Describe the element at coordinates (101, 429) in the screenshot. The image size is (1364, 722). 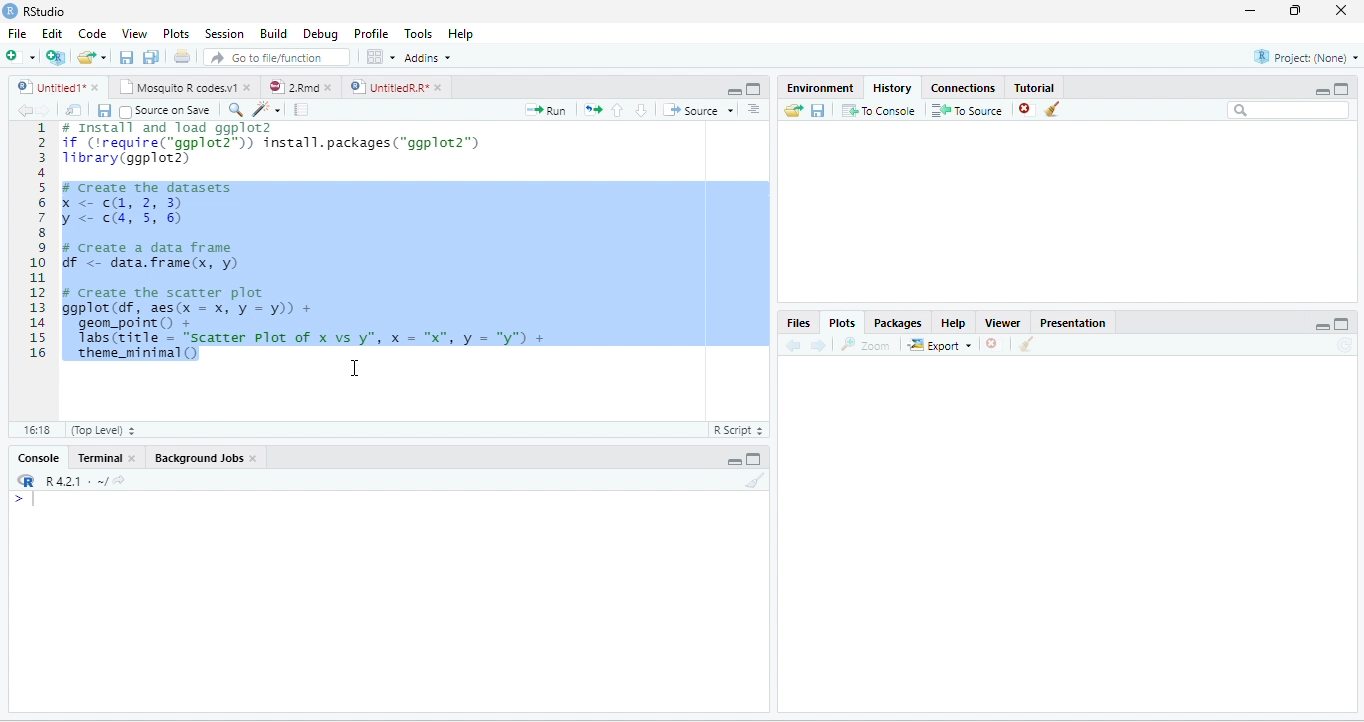
I see `(Top Level)` at that location.